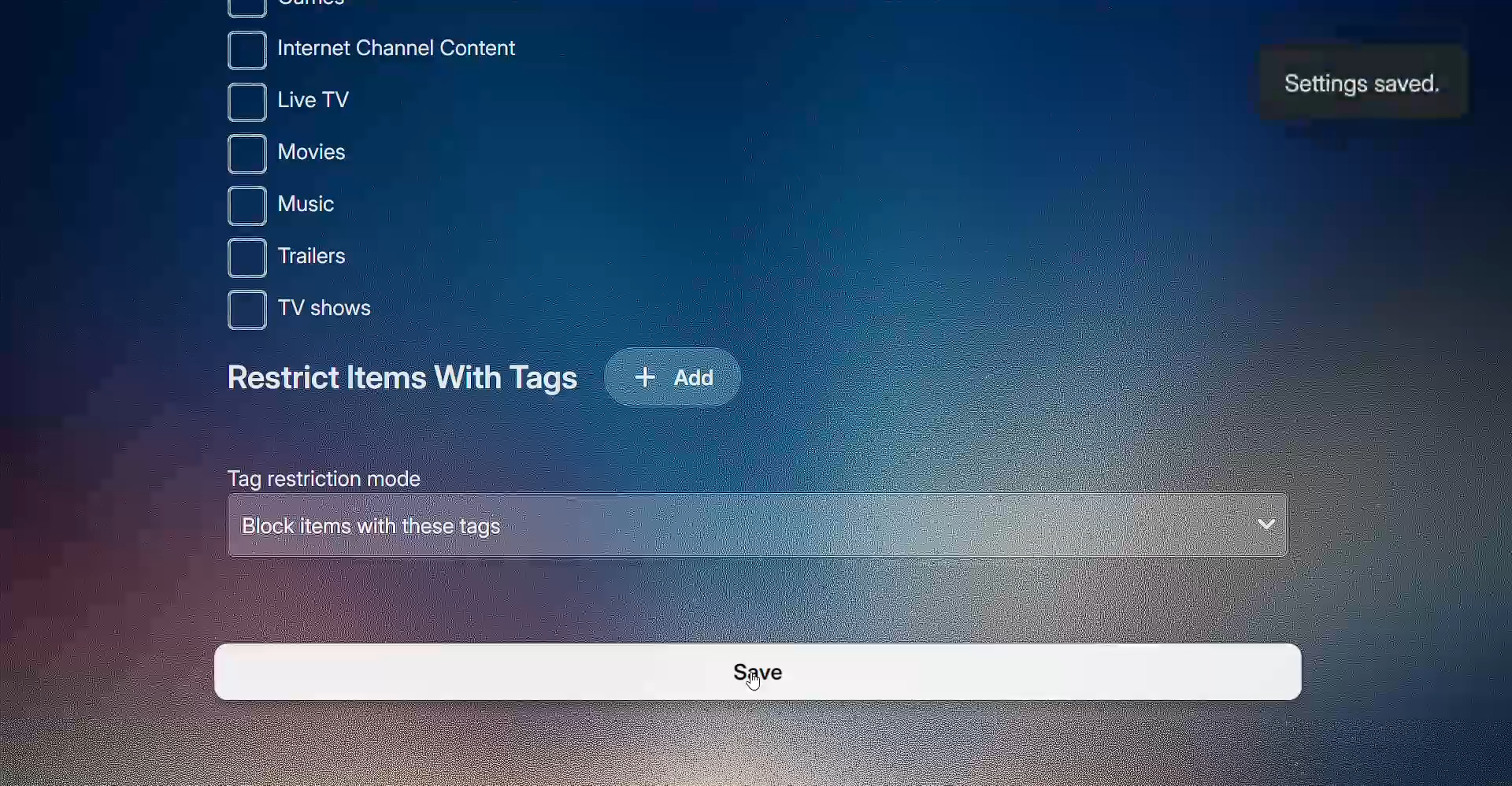  Describe the element at coordinates (756, 673) in the screenshot. I see `Save` at that location.